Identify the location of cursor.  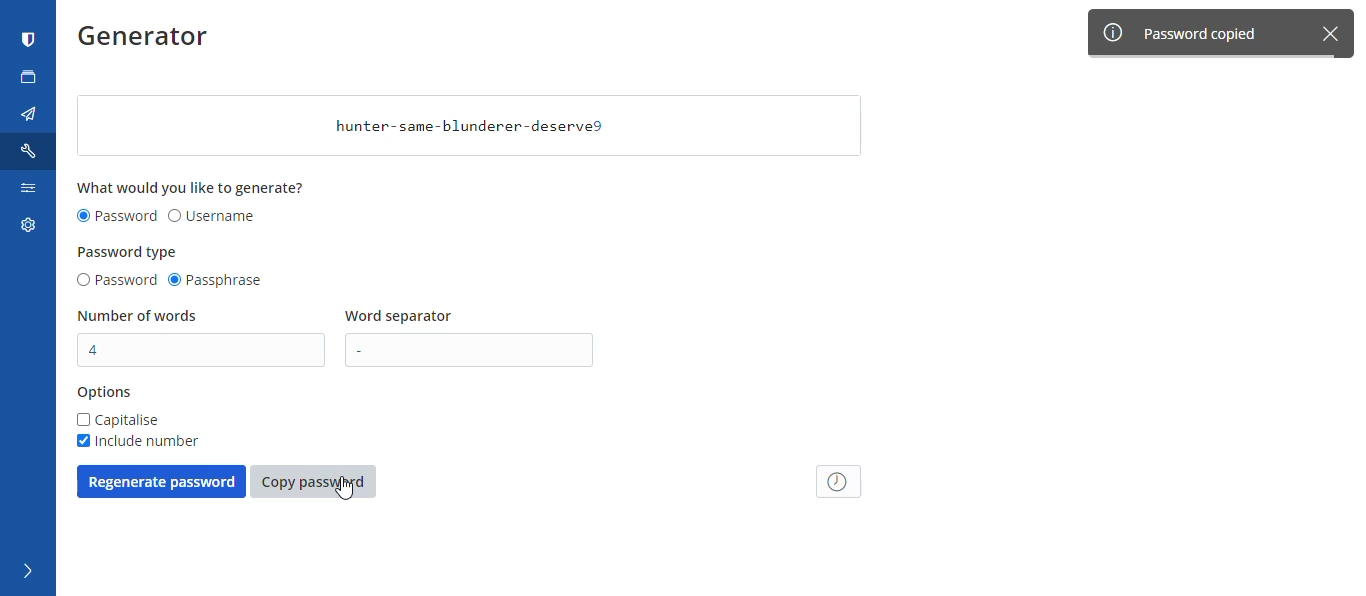
(353, 494).